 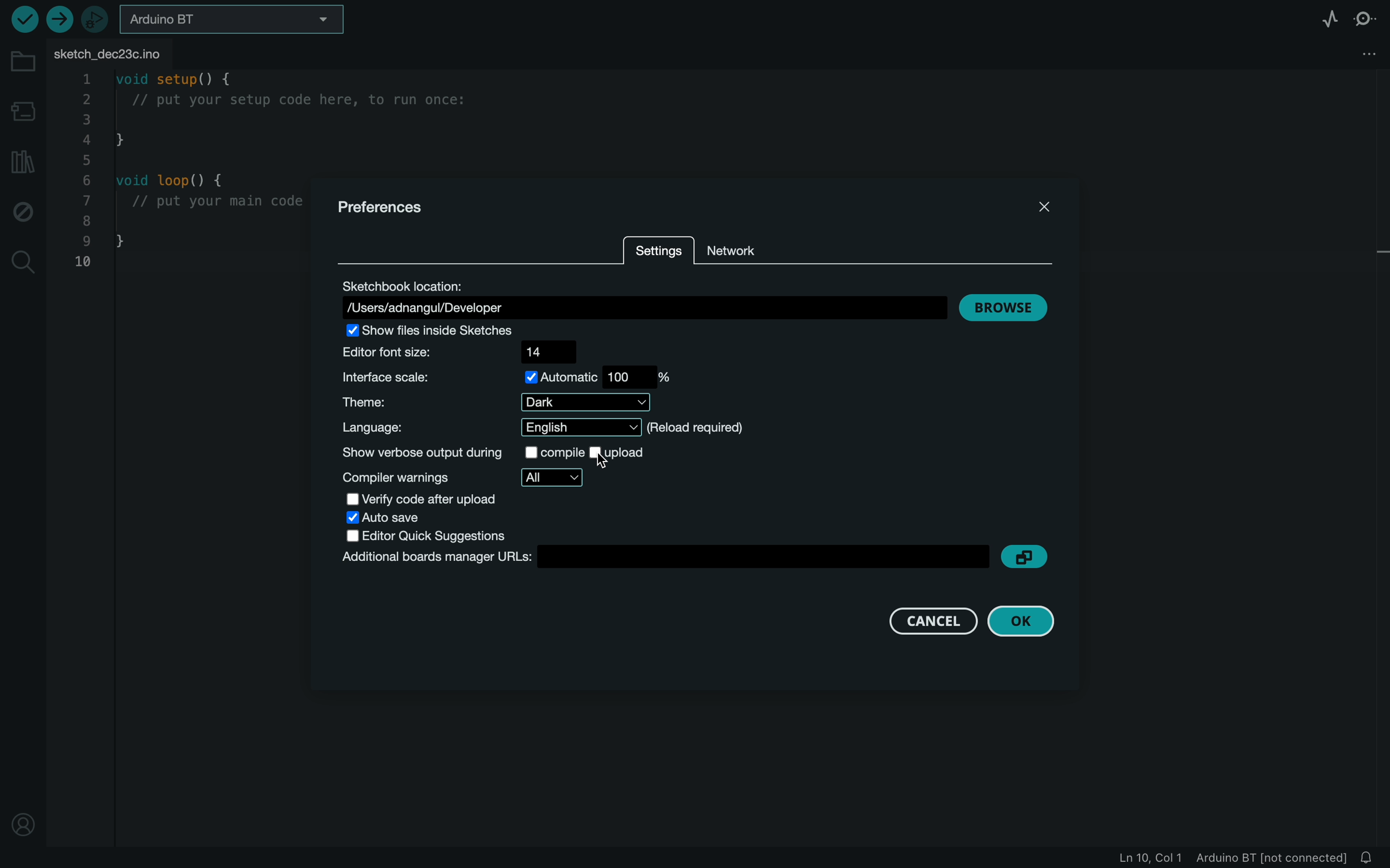 I want to click on network, so click(x=755, y=246).